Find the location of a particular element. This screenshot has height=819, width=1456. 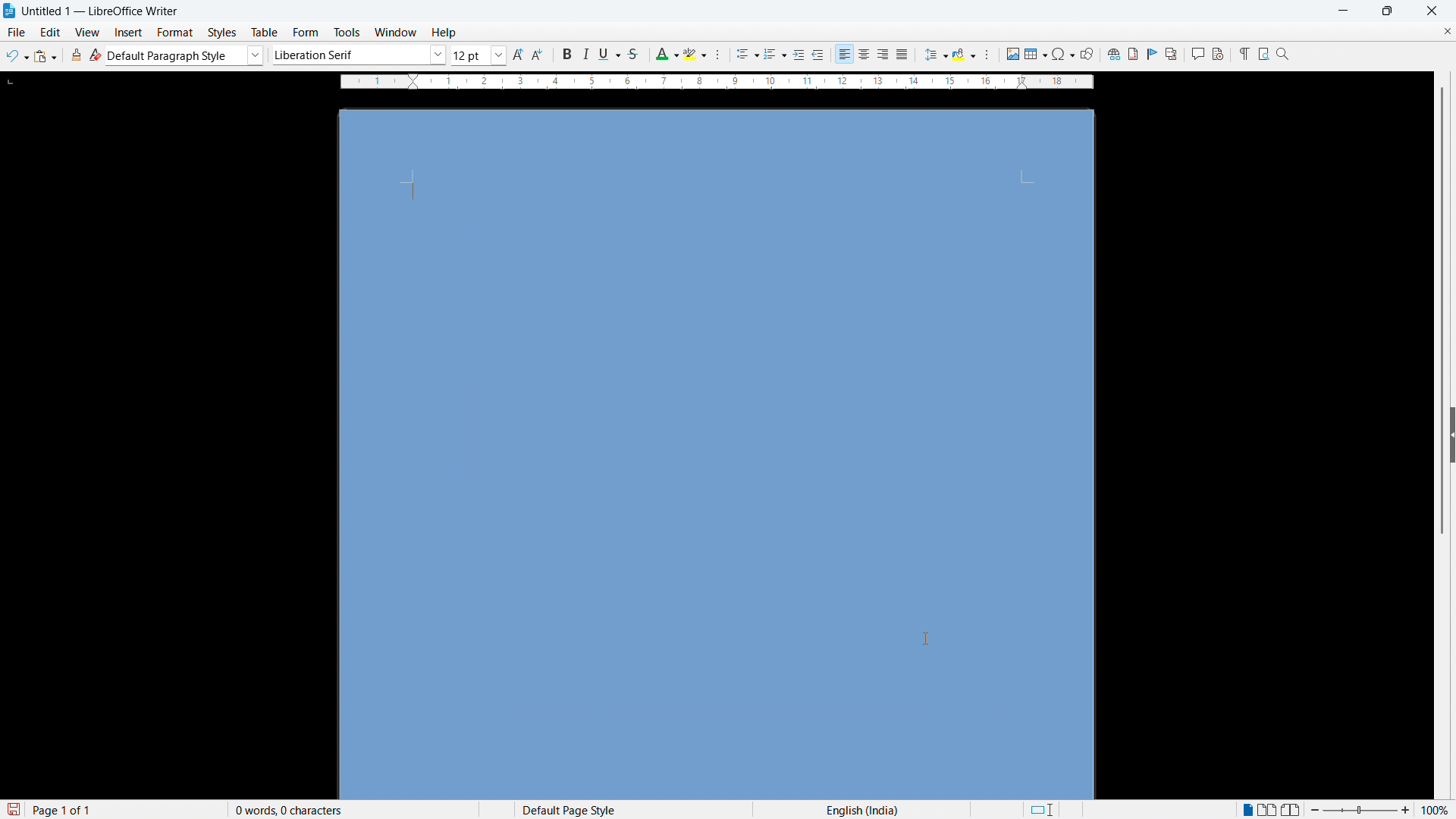

form  is located at coordinates (306, 33).